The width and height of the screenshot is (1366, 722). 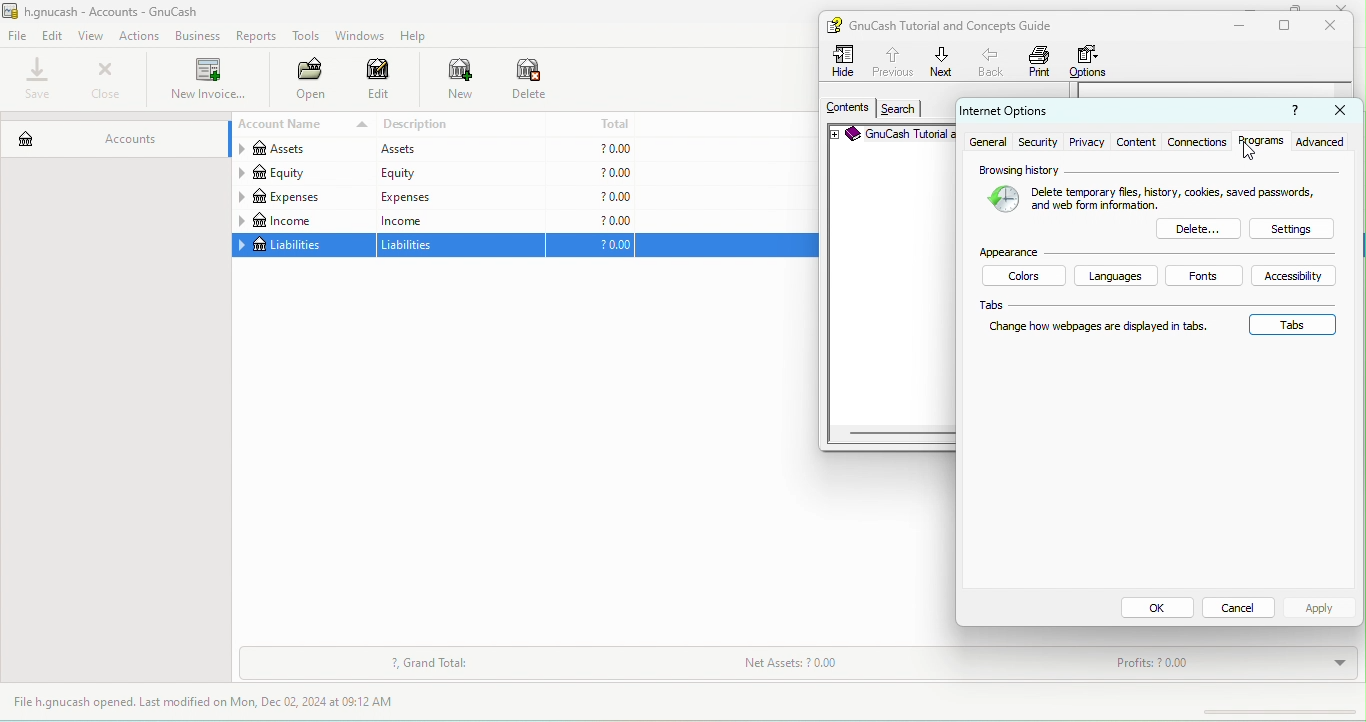 I want to click on delete, so click(x=1196, y=229).